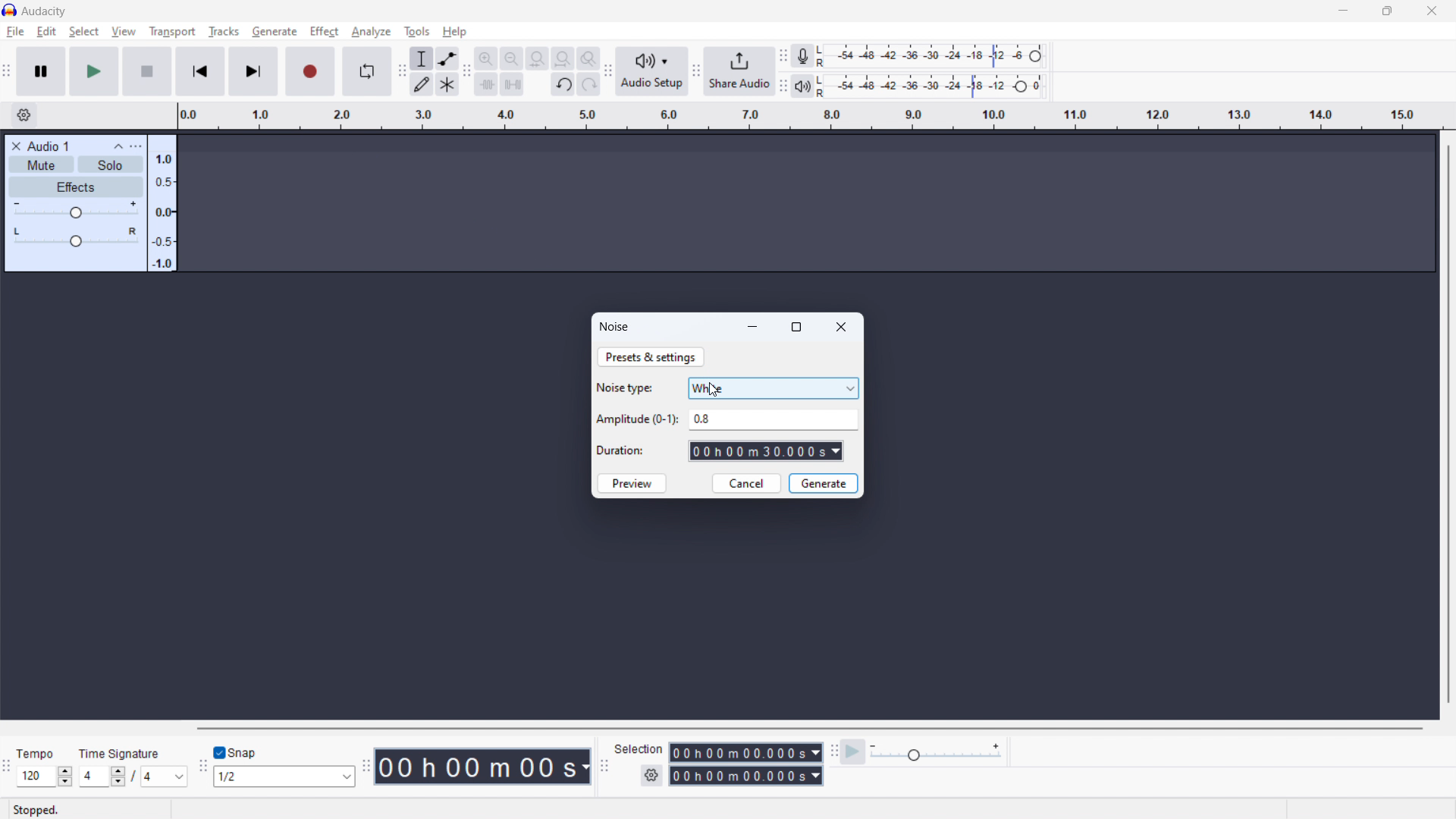 The image size is (1456, 819). Describe the element at coordinates (487, 83) in the screenshot. I see `trim audio outside selction` at that location.